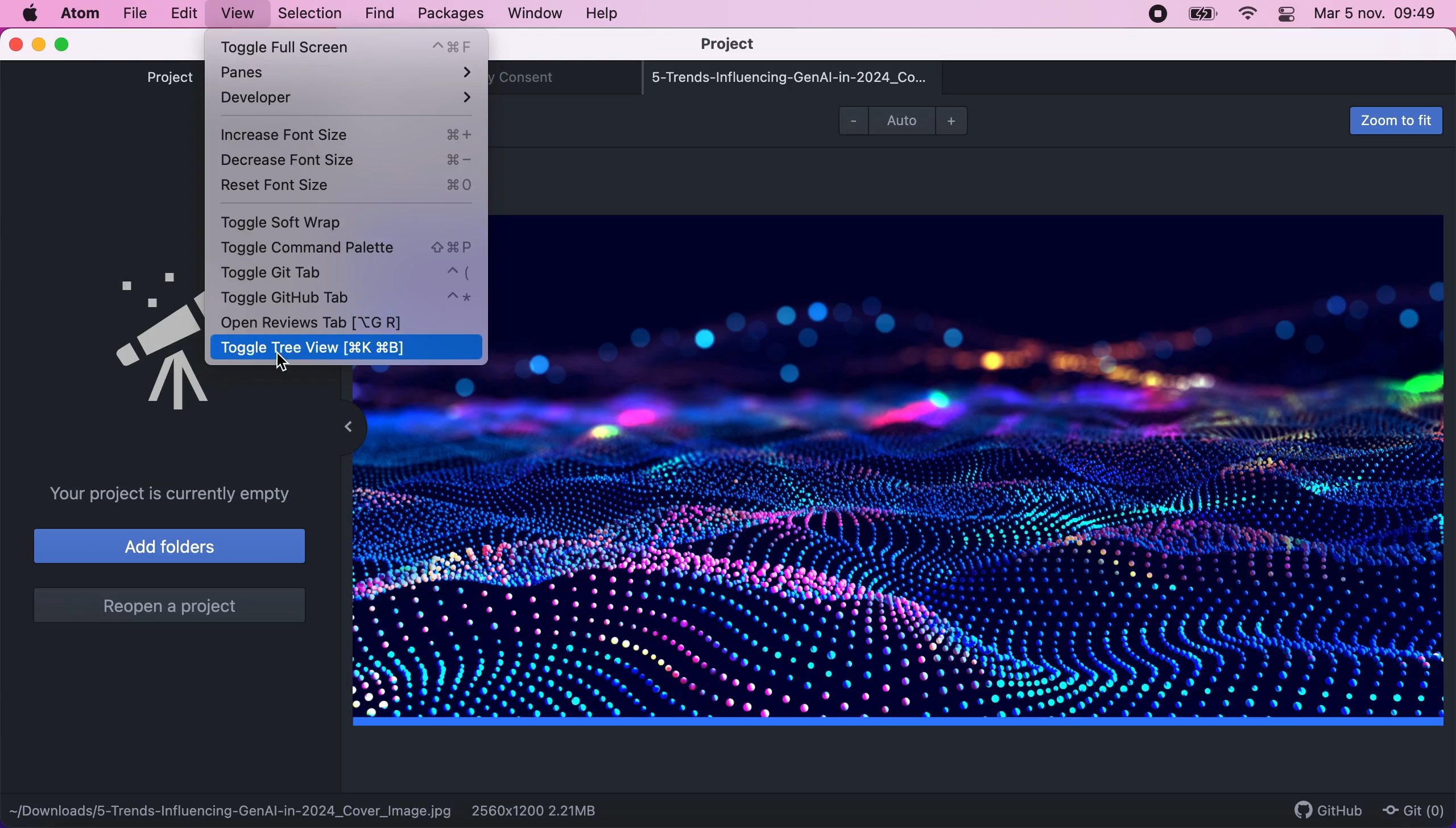  Describe the element at coordinates (954, 124) in the screenshot. I see `zoom in` at that location.